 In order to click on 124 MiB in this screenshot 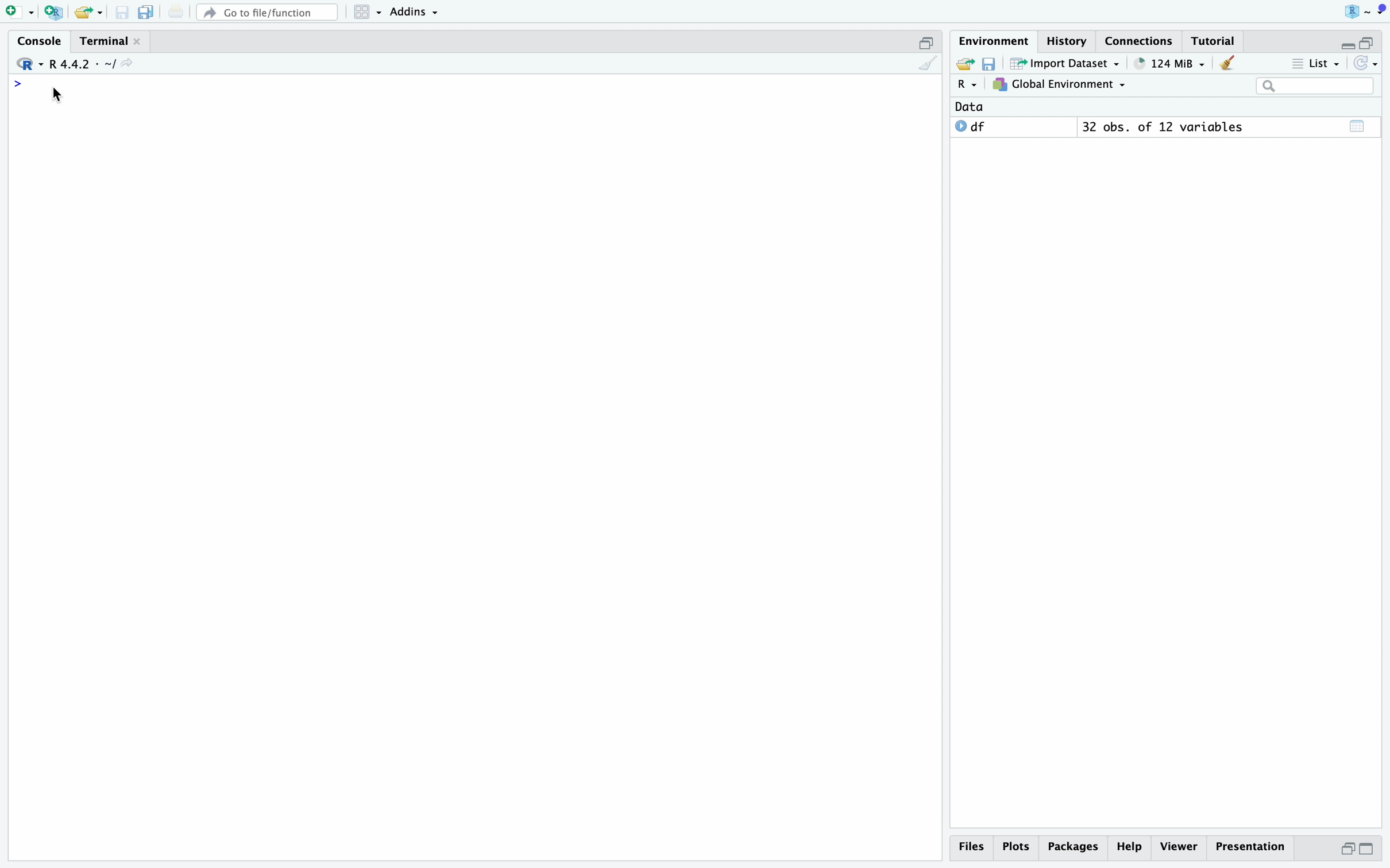, I will do `click(1171, 64)`.